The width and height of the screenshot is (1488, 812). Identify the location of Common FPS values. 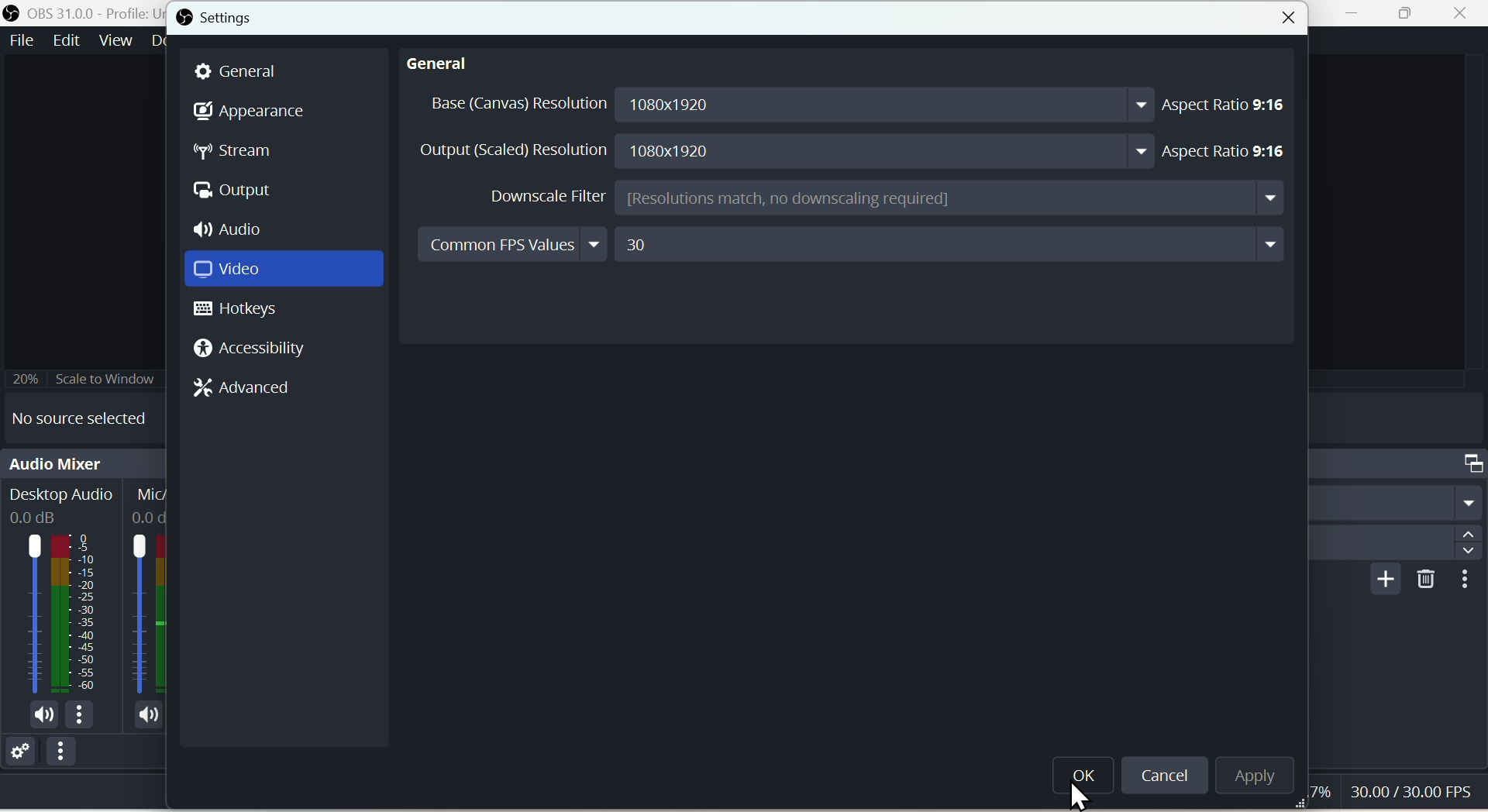
(853, 245).